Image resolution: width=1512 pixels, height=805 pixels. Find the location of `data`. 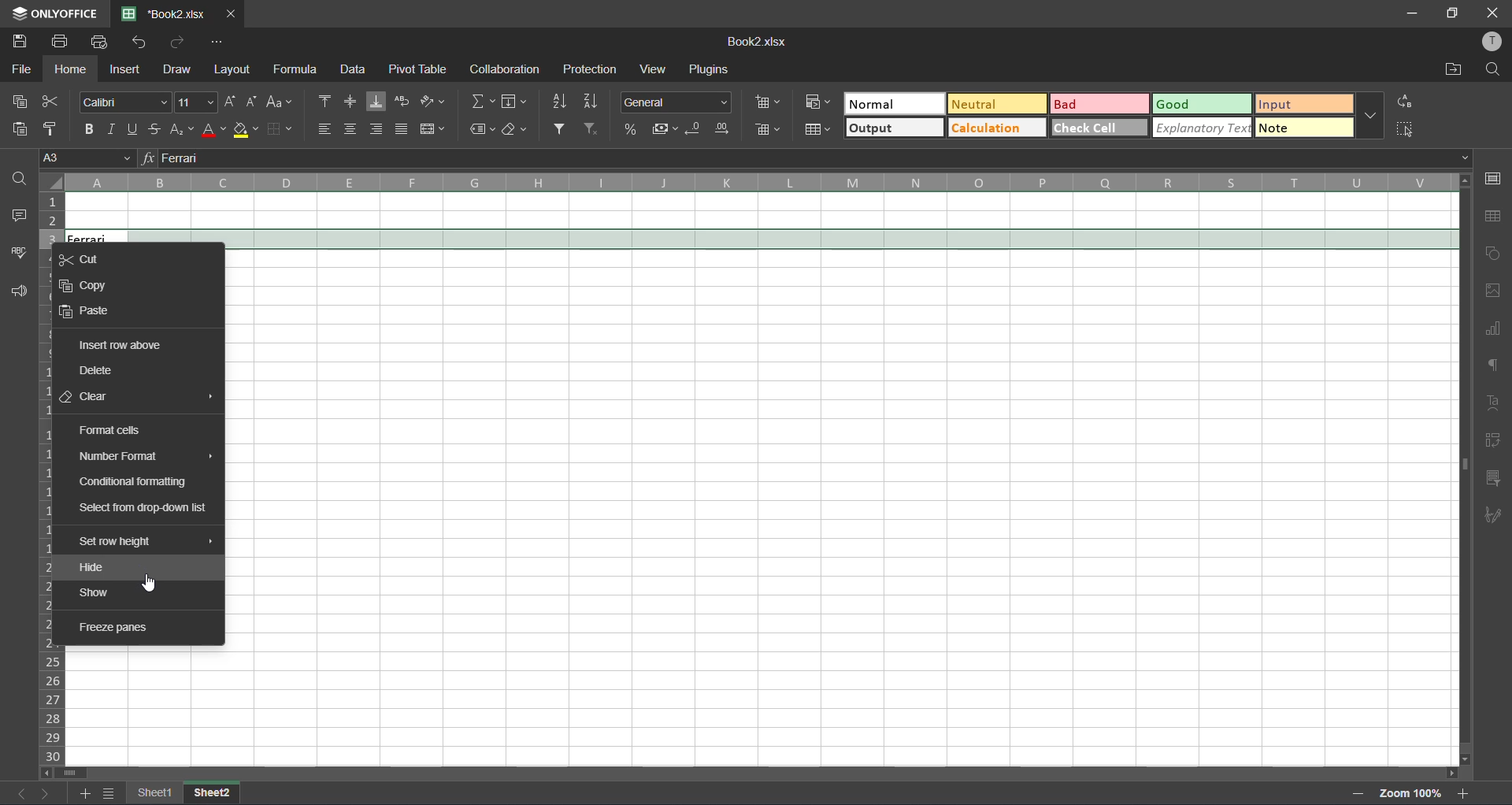

data is located at coordinates (352, 69).